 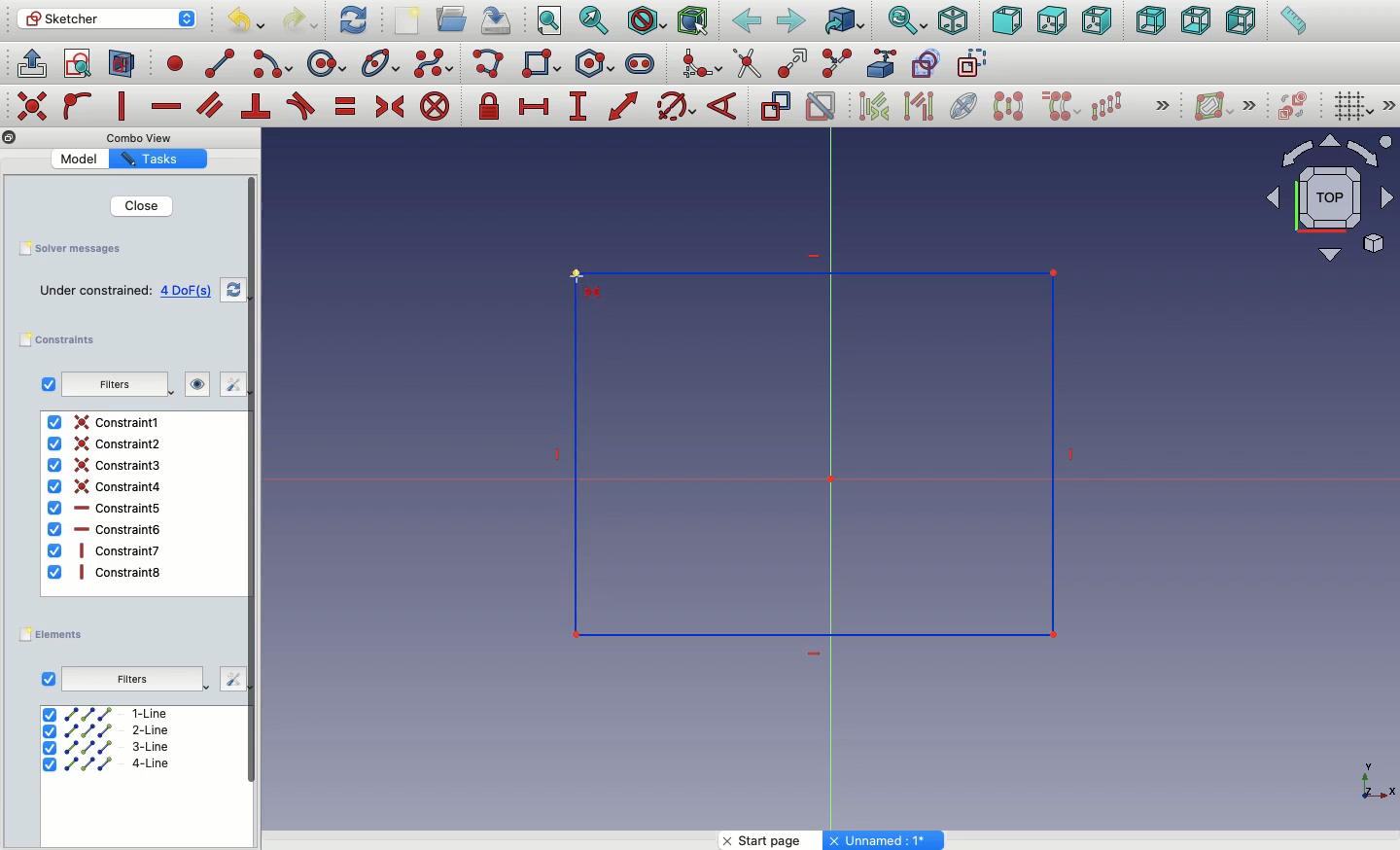 I want to click on External geometry, so click(x=880, y=63).